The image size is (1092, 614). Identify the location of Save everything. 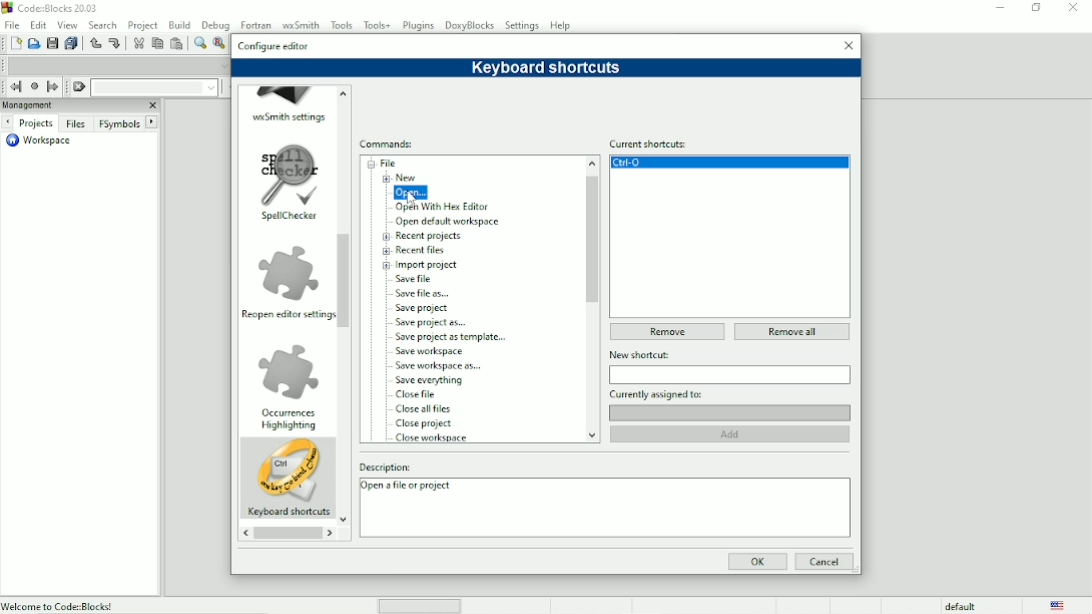
(70, 43).